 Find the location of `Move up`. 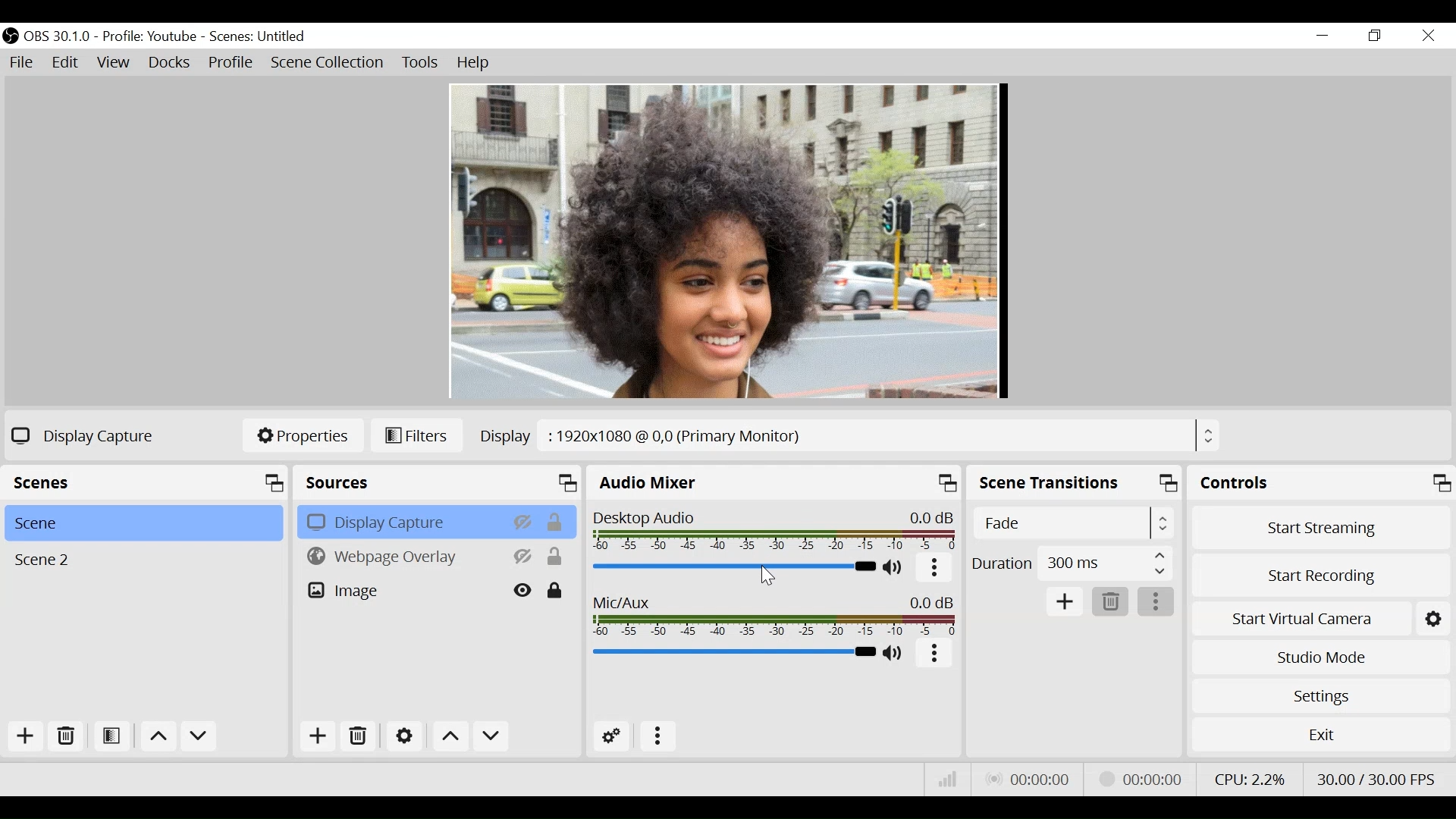

Move up is located at coordinates (449, 736).